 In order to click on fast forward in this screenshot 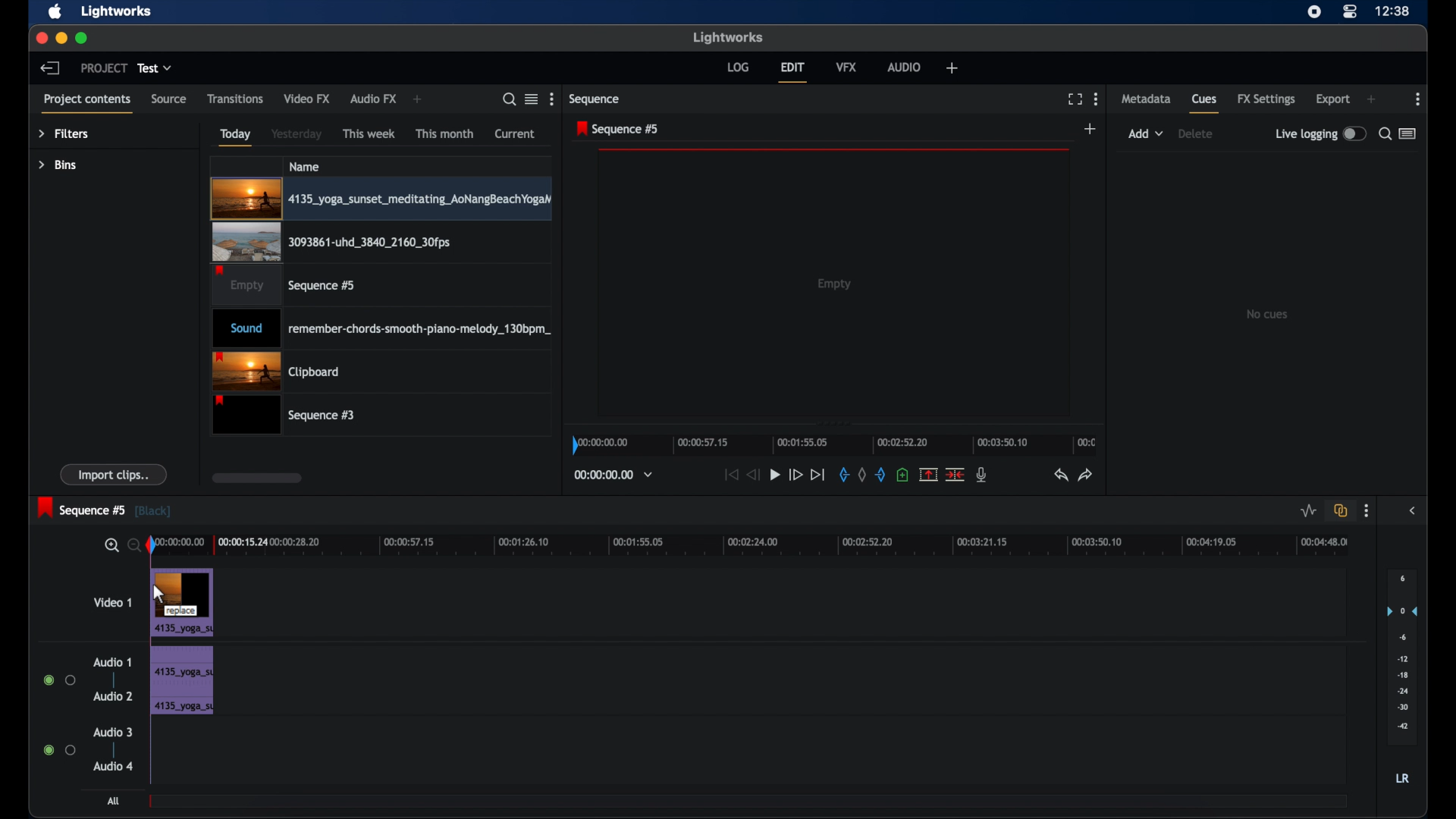, I will do `click(795, 475)`.